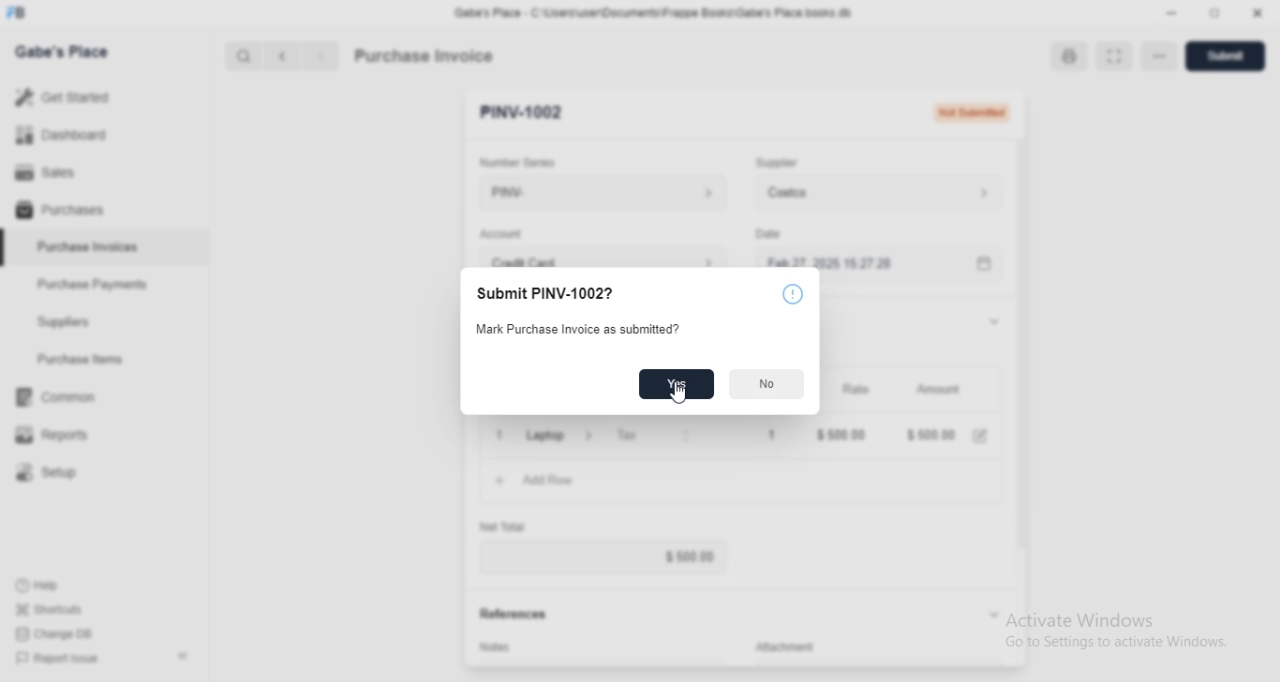 This screenshot has height=682, width=1280. What do you see at coordinates (544, 293) in the screenshot?
I see `Submit PINV-1002?` at bounding box center [544, 293].